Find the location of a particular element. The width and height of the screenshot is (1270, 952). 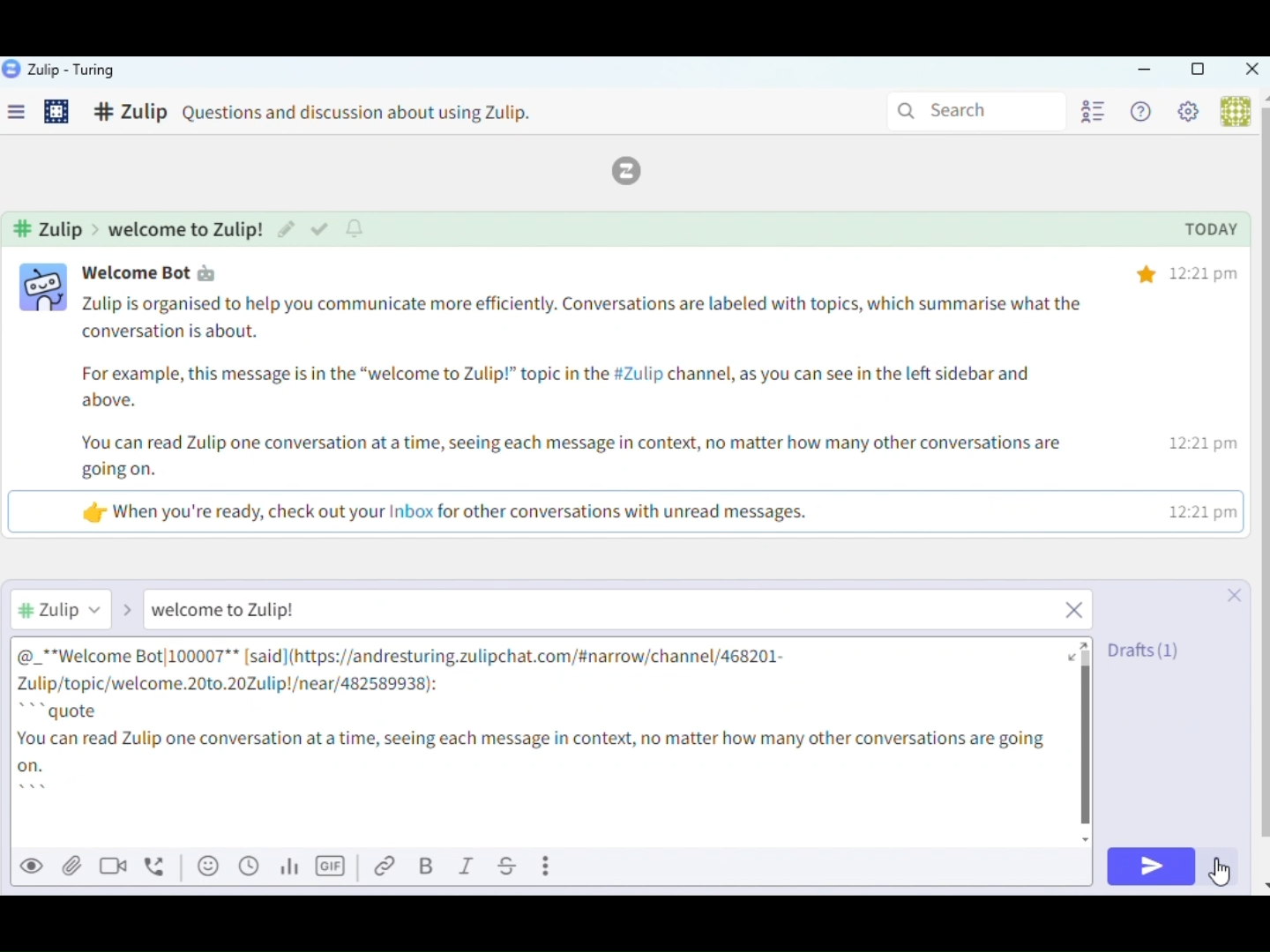

View is located at coordinates (34, 865).